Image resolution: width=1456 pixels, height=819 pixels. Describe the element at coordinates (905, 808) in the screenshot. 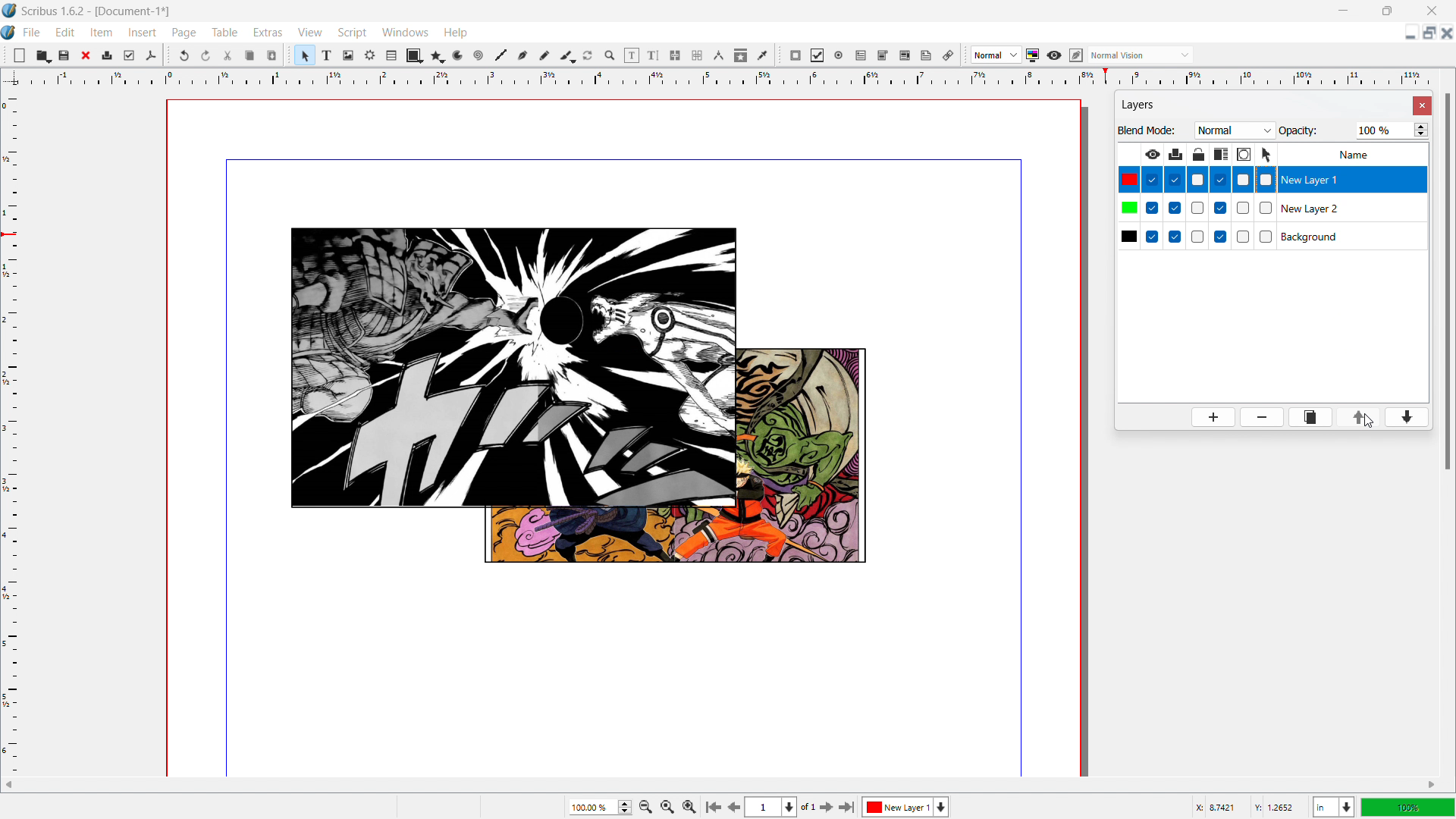

I see `layer 1 selected` at that location.